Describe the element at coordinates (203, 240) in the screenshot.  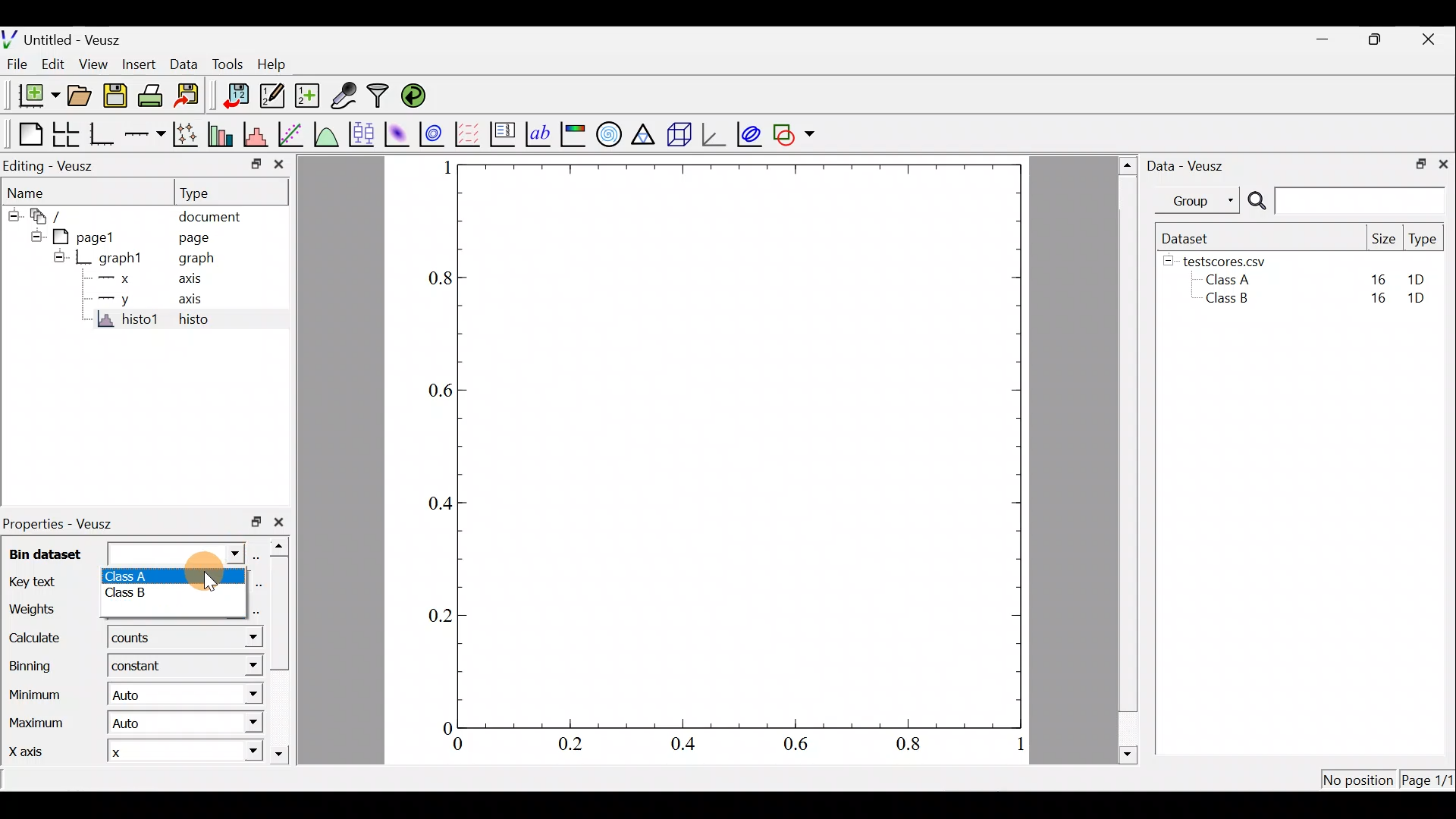
I see `page` at that location.